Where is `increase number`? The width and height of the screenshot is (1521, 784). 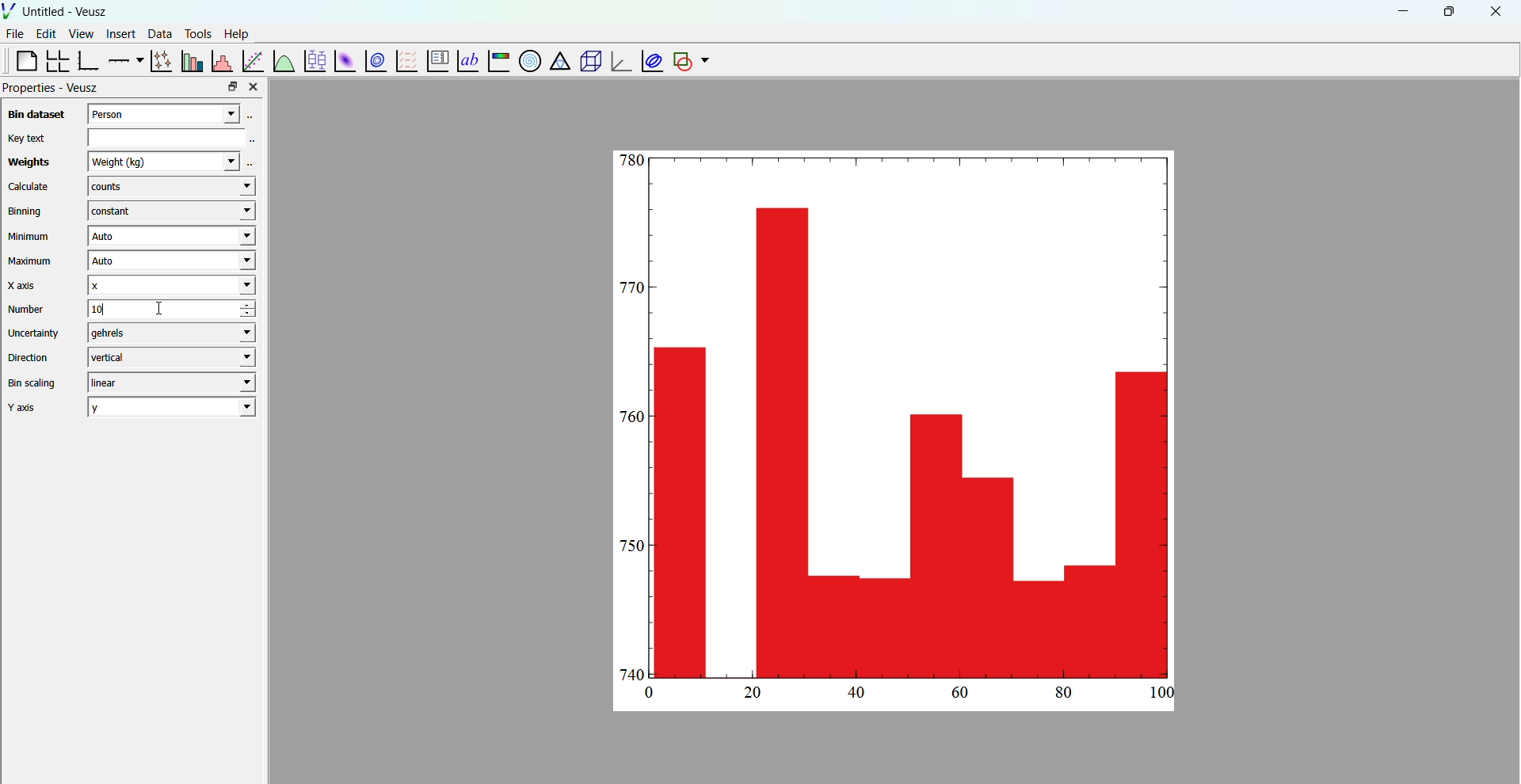
increase number is located at coordinates (259, 305).